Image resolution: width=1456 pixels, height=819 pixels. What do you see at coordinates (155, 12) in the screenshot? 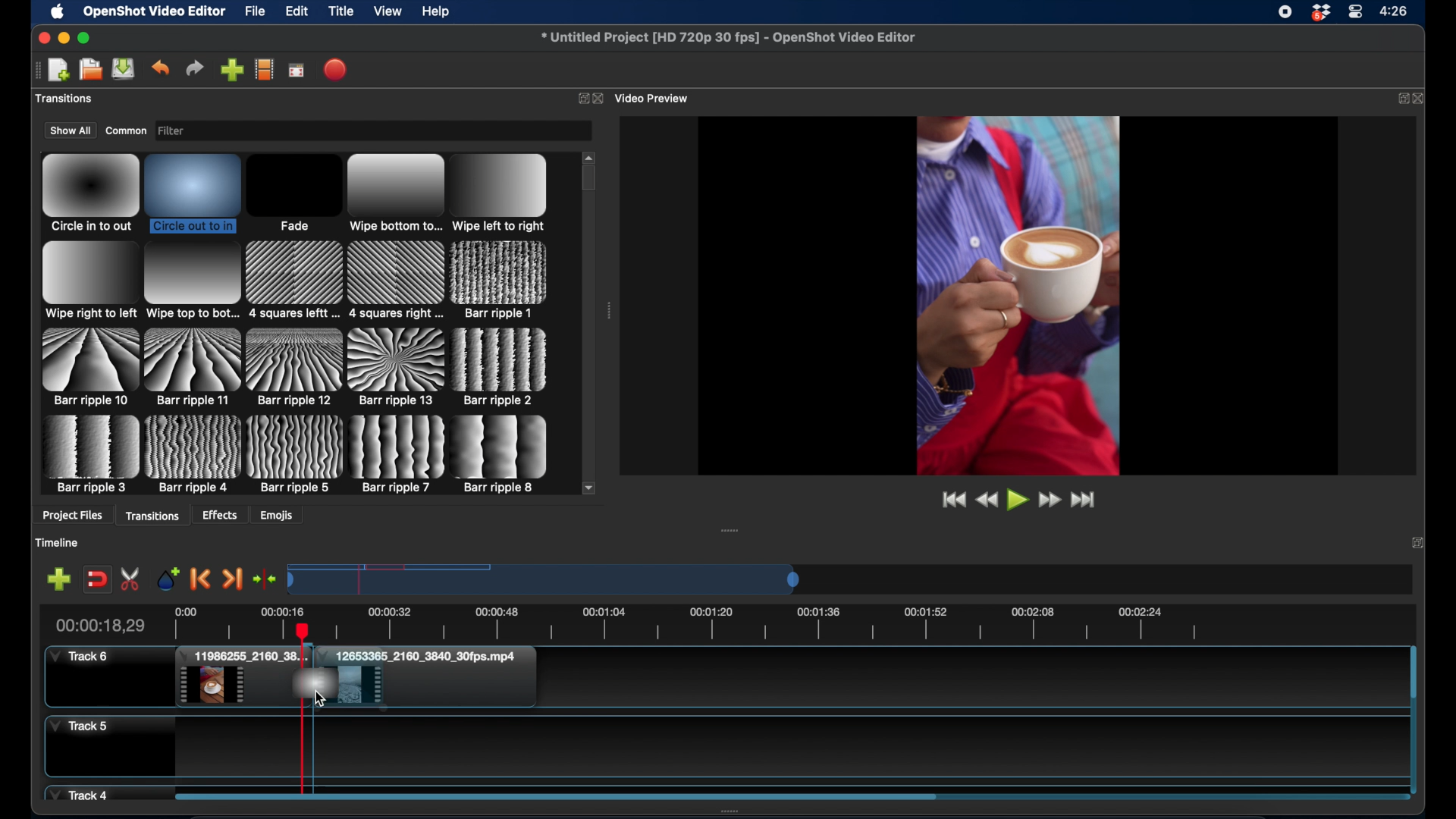
I see `openshot video editor` at bounding box center [155, 12].